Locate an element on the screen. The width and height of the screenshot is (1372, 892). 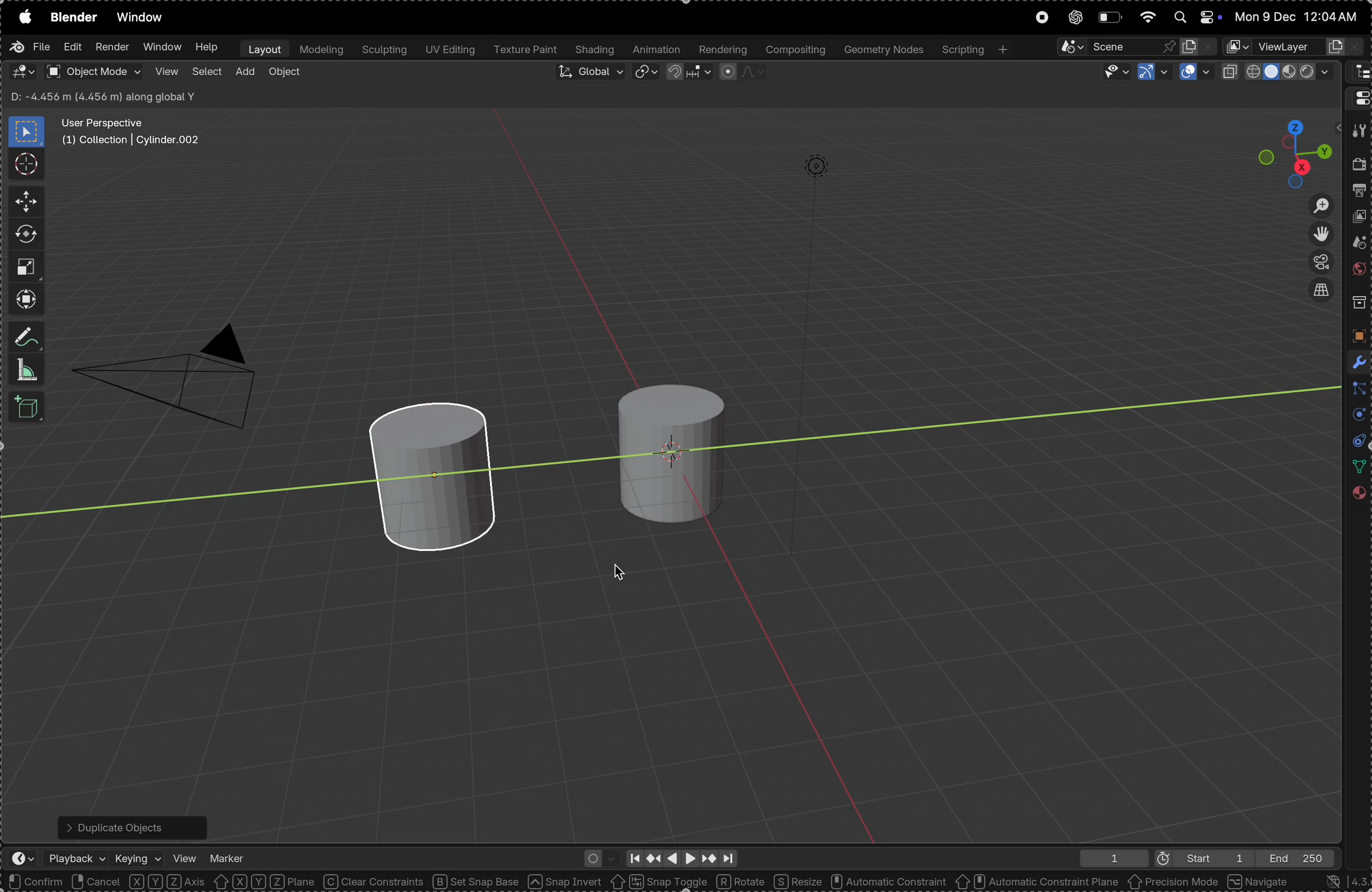
editor type is located at coordinates (1358, 97).